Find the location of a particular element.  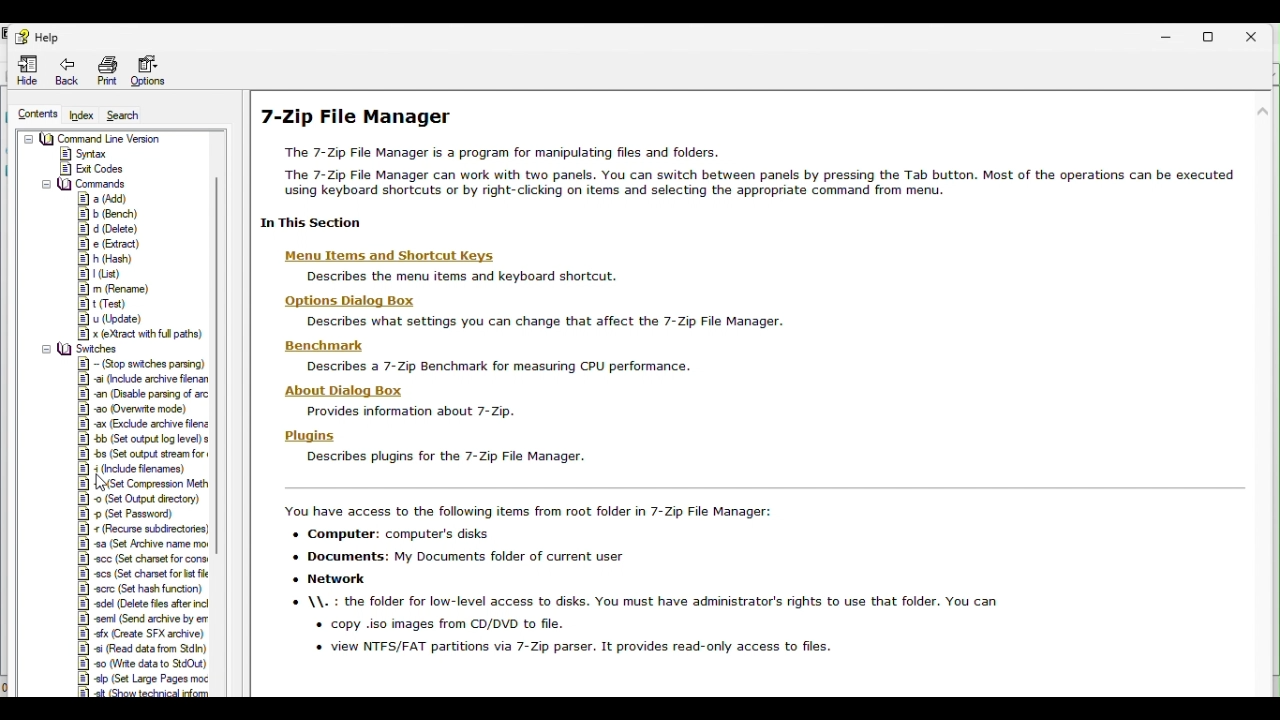

switches is located at coordinates (79, 349).